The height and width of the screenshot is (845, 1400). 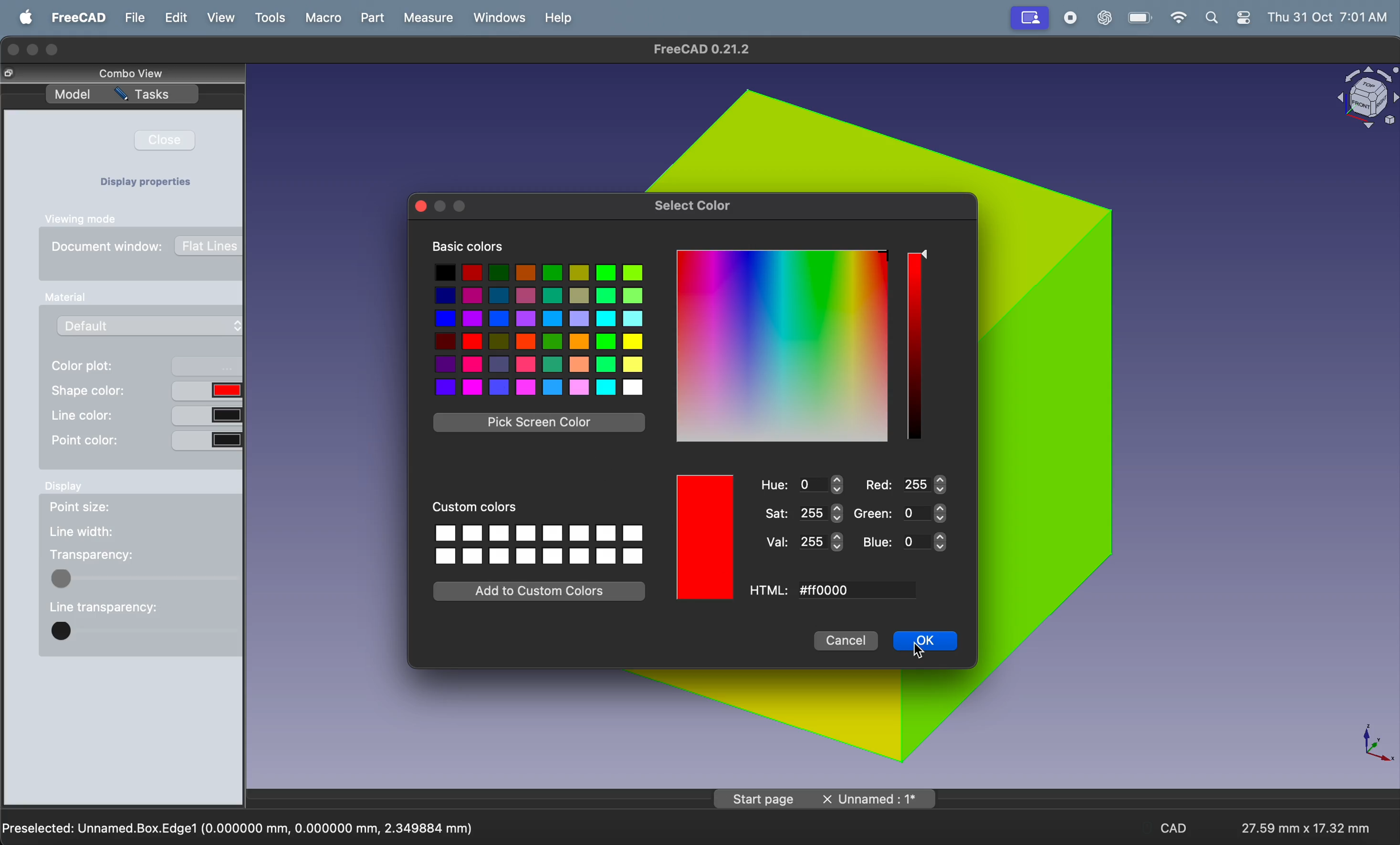 I want to click on slected color red, so click(x=706, y=538).